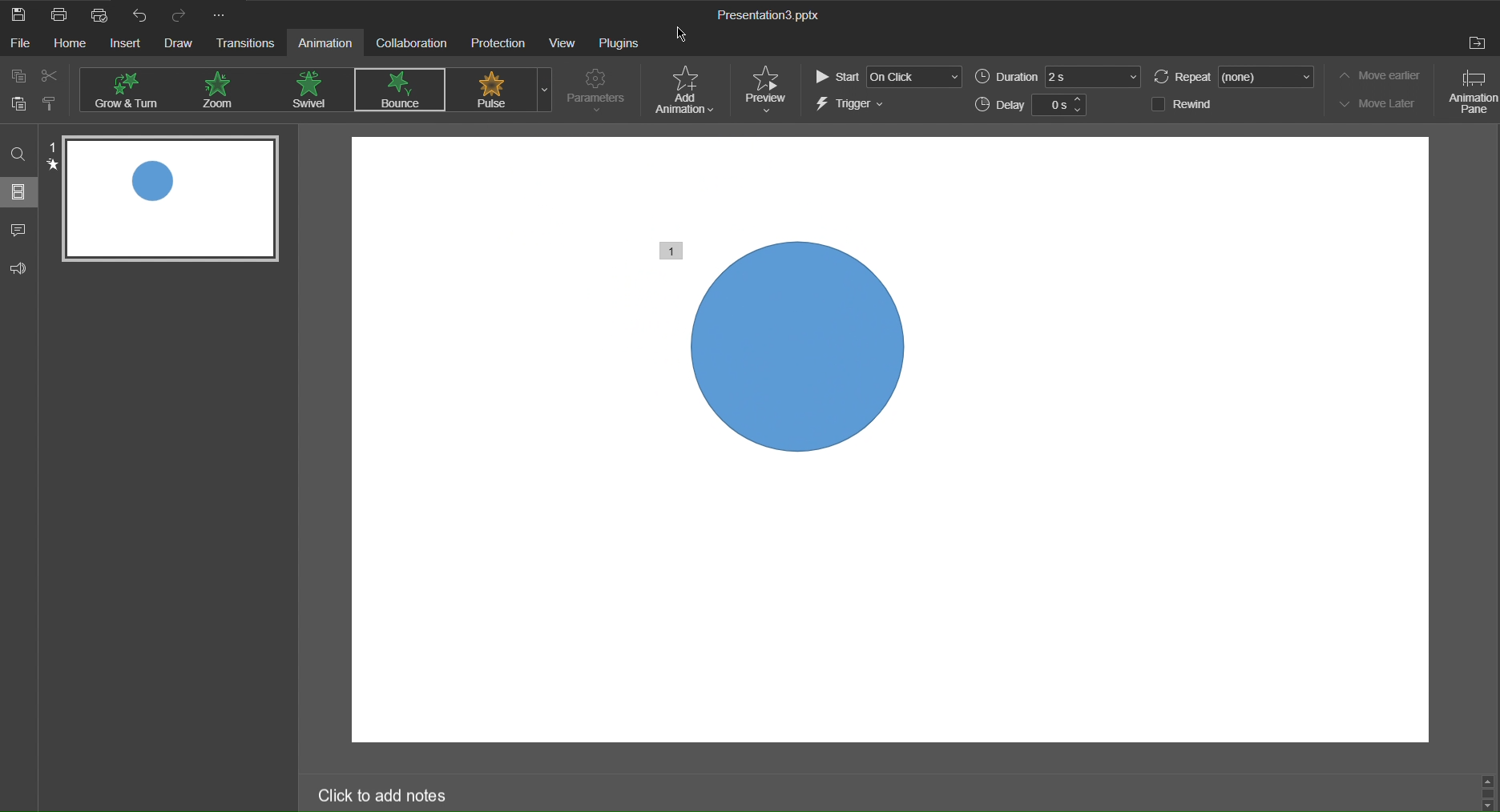 The height and width of the screenshot is (812, 1500). What do you see at coordinates (793, 345) in the screenshot?
I see `Animation added` at bounding box center [793, 345].